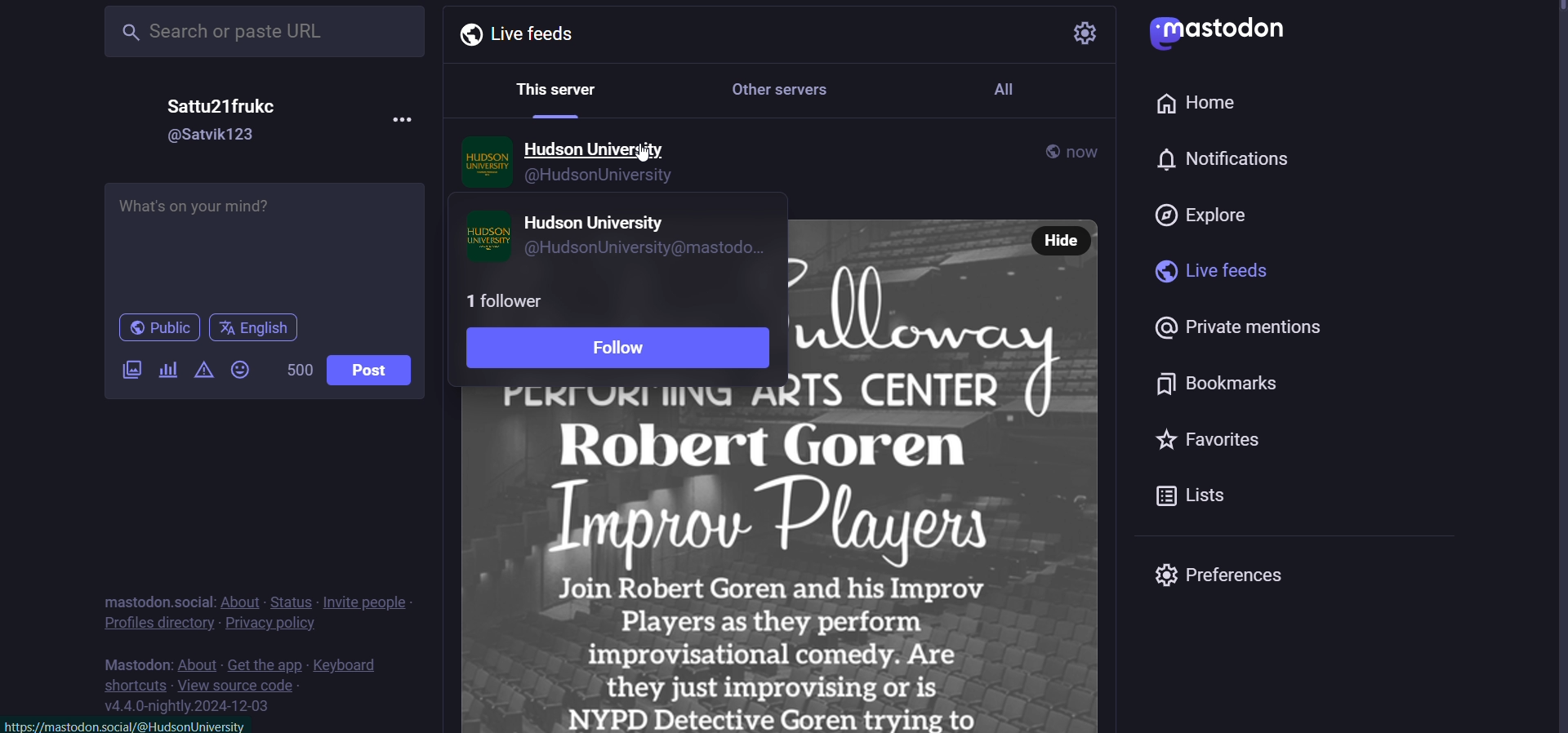 This screenshot has width=1568, height=733. I want to click on (@HudsonUniversity, so click(630, 178).